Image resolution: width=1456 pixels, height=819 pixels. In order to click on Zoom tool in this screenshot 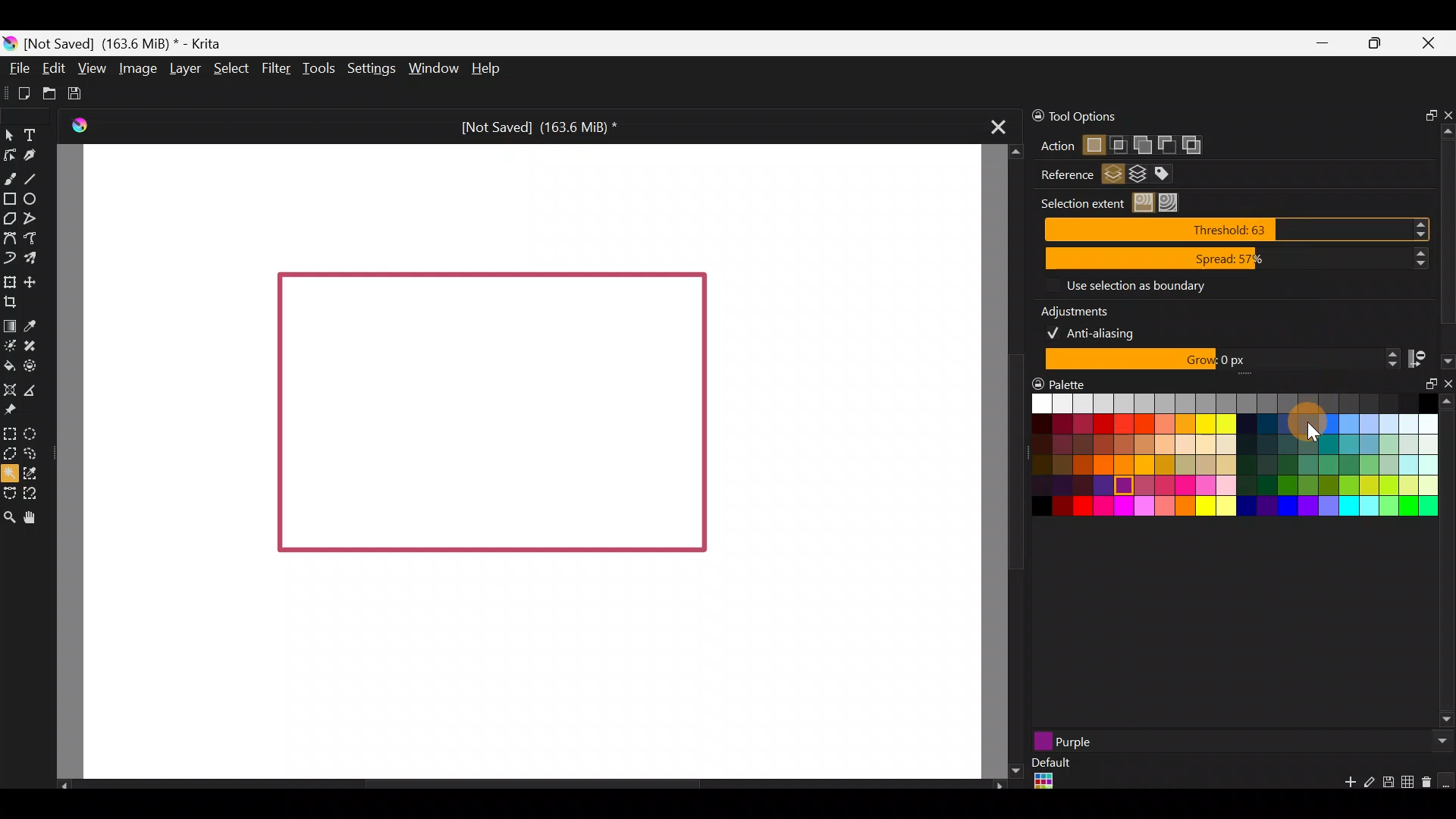, I will do `click(9, 516)`.